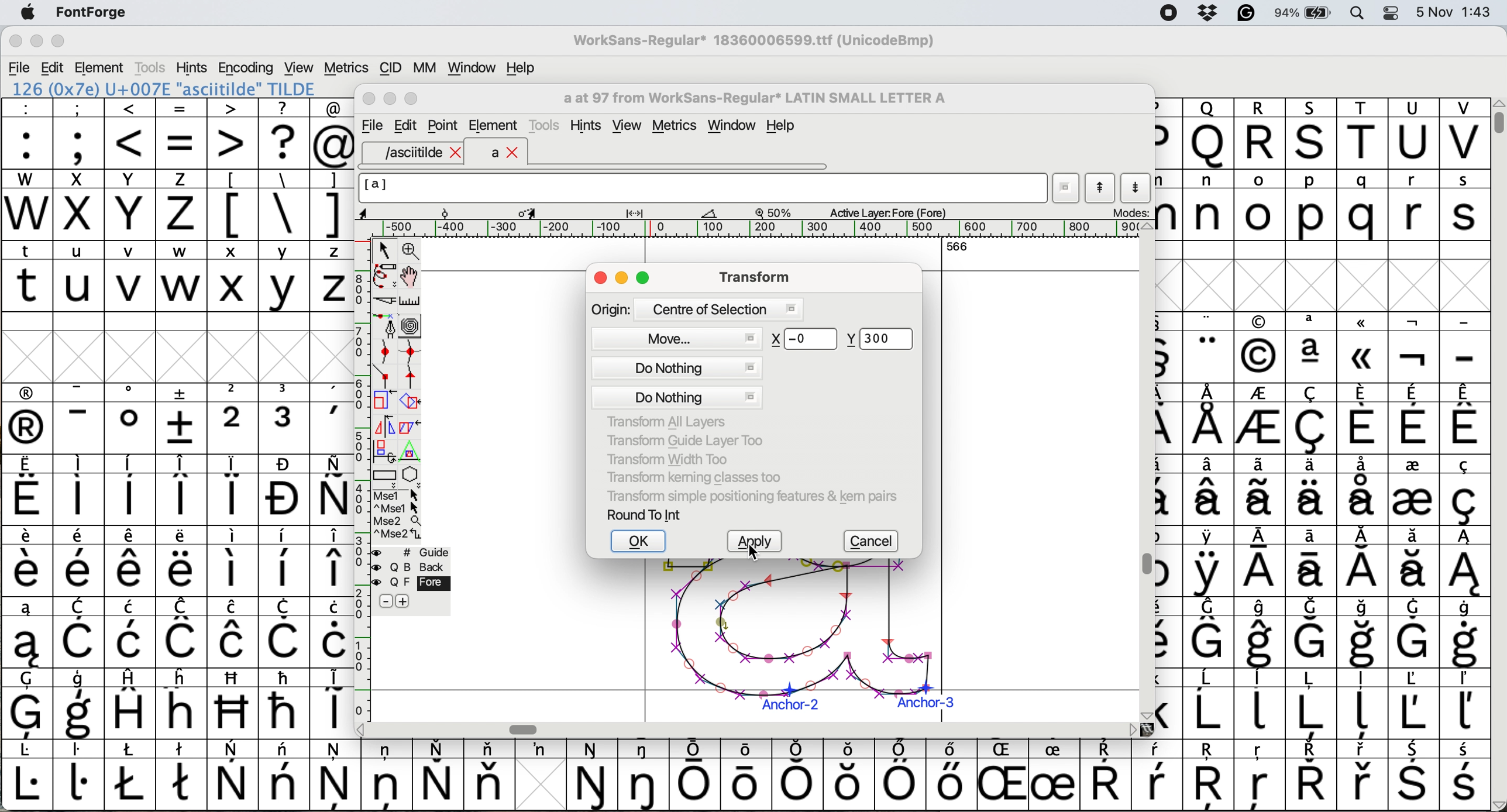 Image resolution: width=1507 pixels, height=812 pixels. Describe the element at coordinates (1365, 705) in the screenshot. I see `symbol` at that location.